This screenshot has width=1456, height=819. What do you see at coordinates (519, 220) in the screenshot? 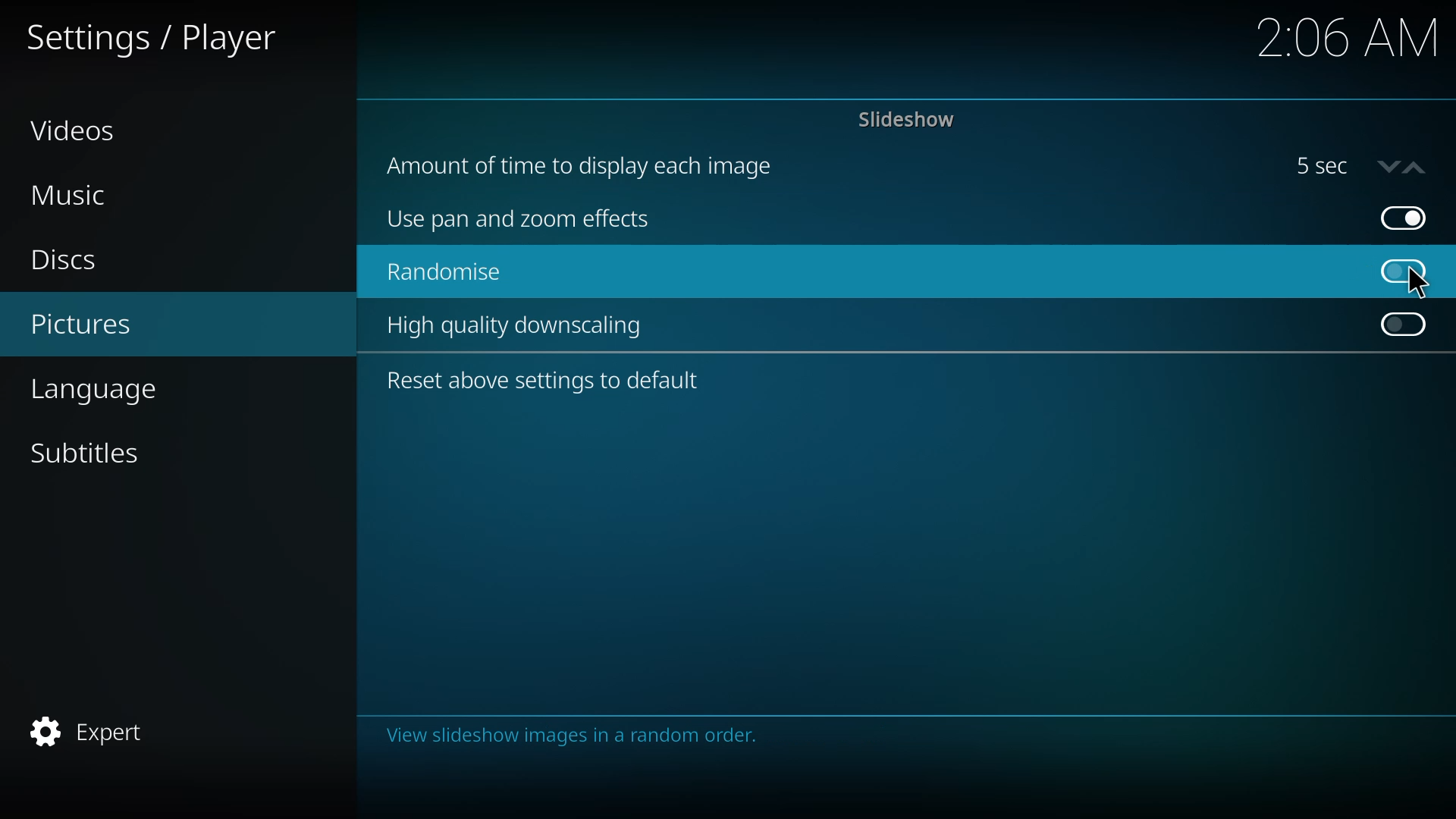
I see `use pan and zoom effects` at bounding box center [519, 220].